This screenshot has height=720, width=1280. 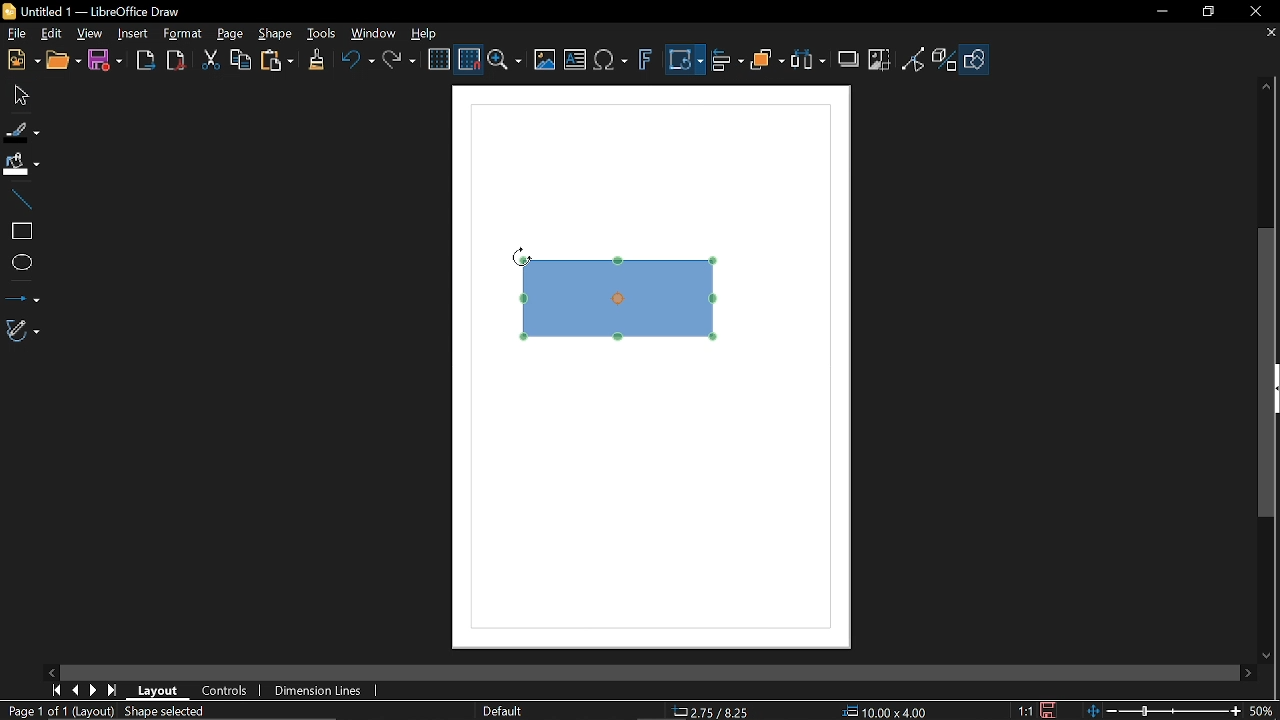 I want to click on MOve right, so click(x=91, y=691).